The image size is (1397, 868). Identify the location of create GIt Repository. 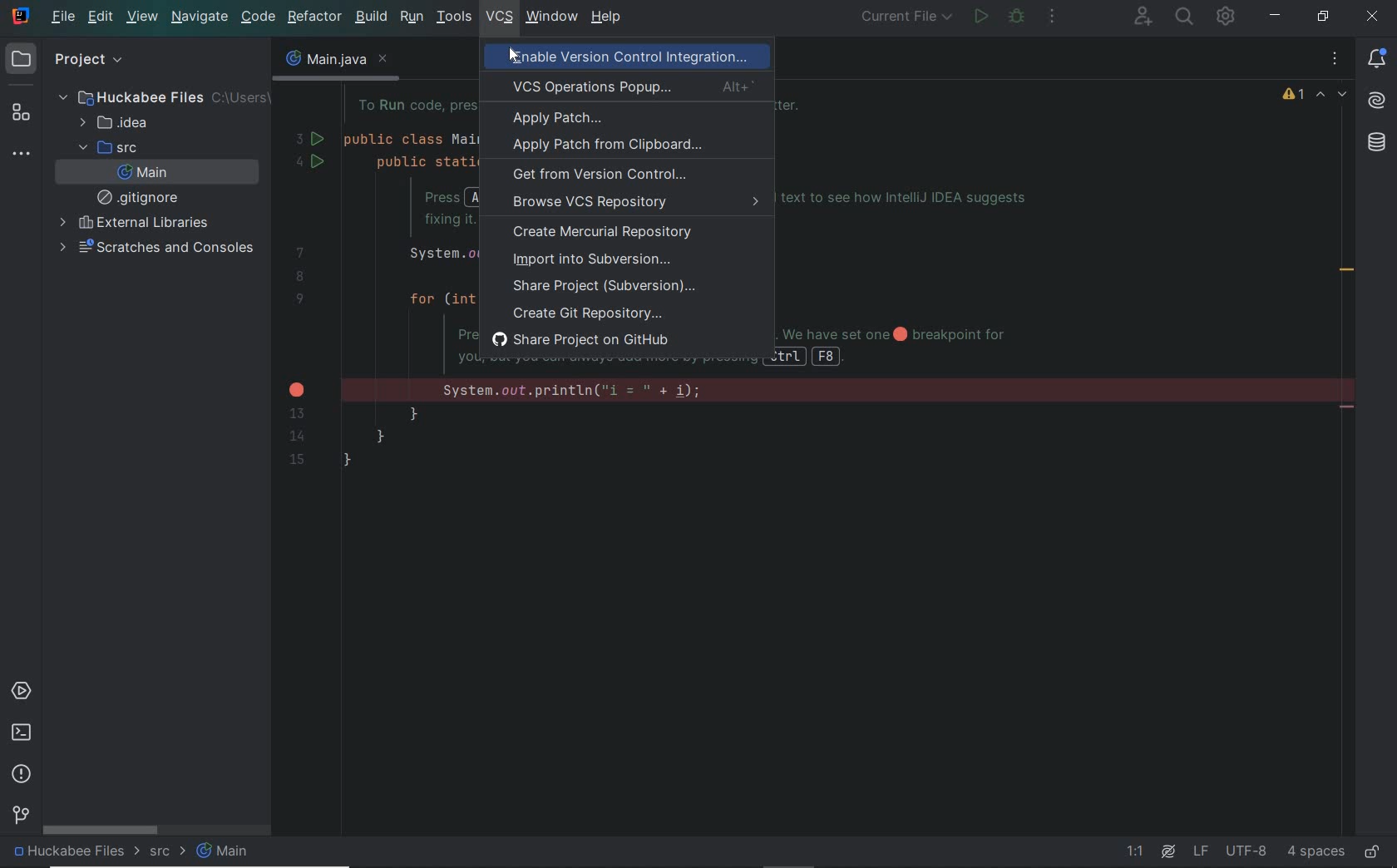
(588, 313).